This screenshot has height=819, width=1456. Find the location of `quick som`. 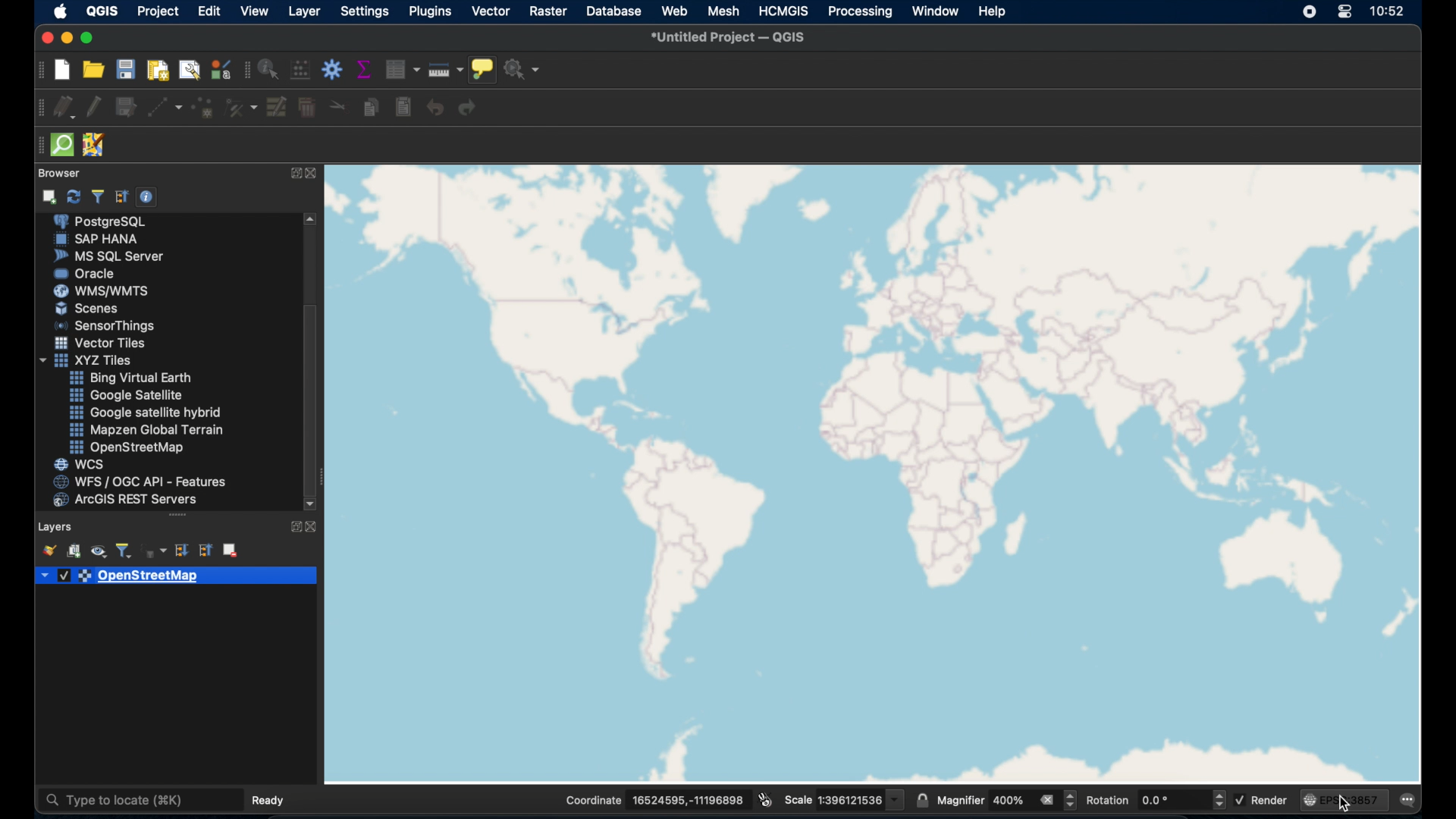

quick som is located at coordinates (63, 146).